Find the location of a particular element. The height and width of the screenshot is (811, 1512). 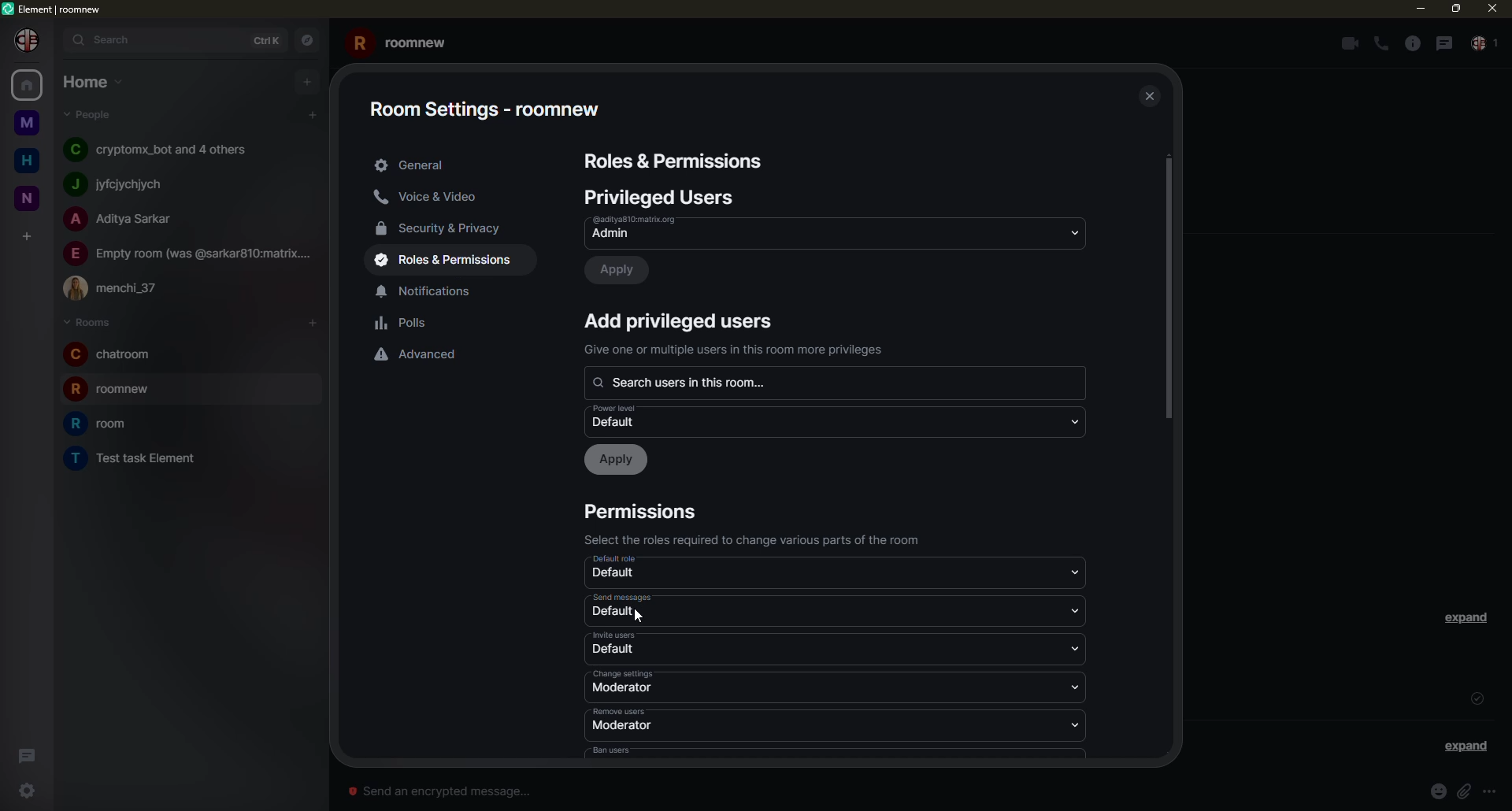

expand is located at coordinates (1466, 746).